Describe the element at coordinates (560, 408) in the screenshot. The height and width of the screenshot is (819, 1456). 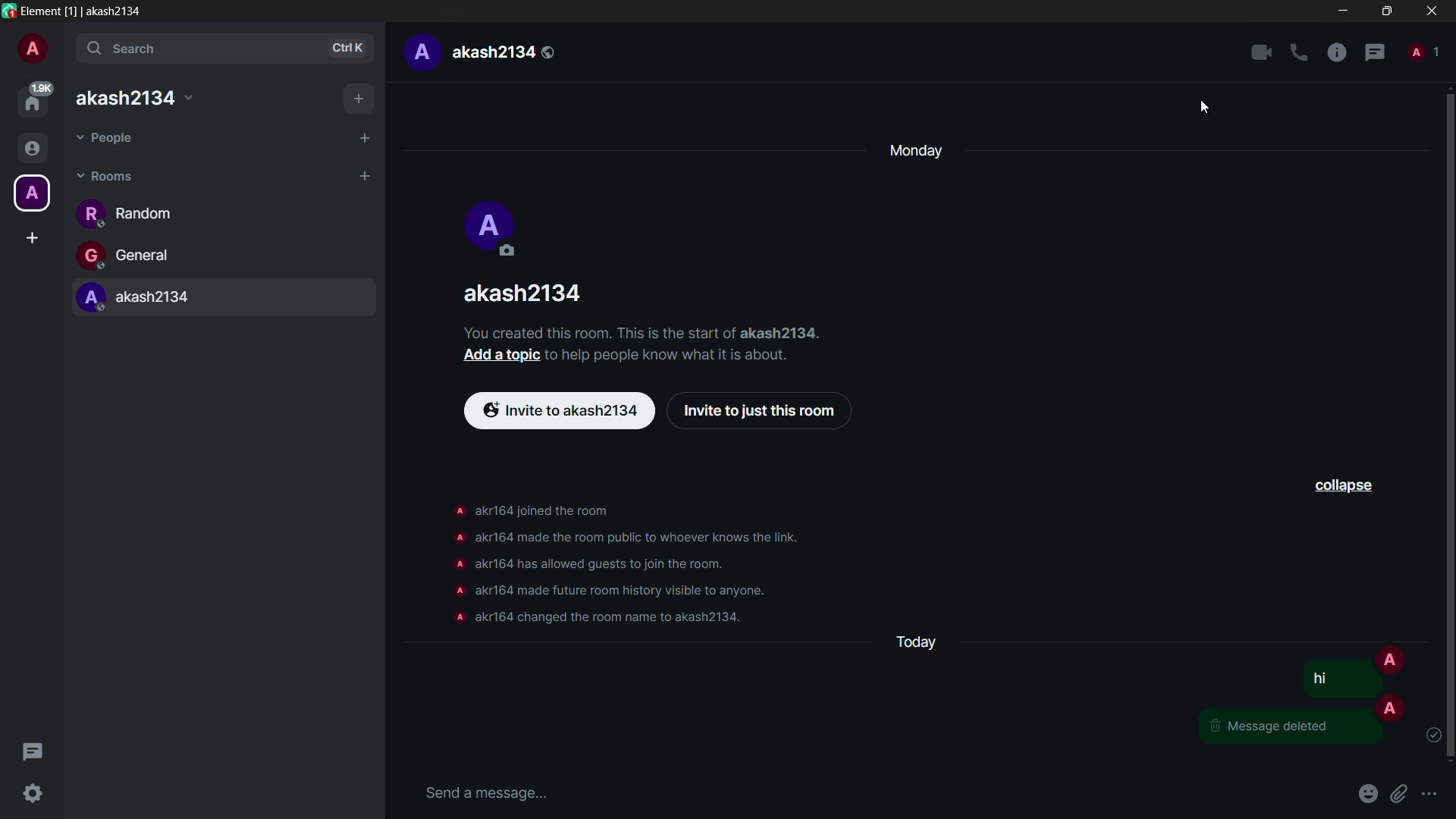
I see `invite to akash2134` at that location.